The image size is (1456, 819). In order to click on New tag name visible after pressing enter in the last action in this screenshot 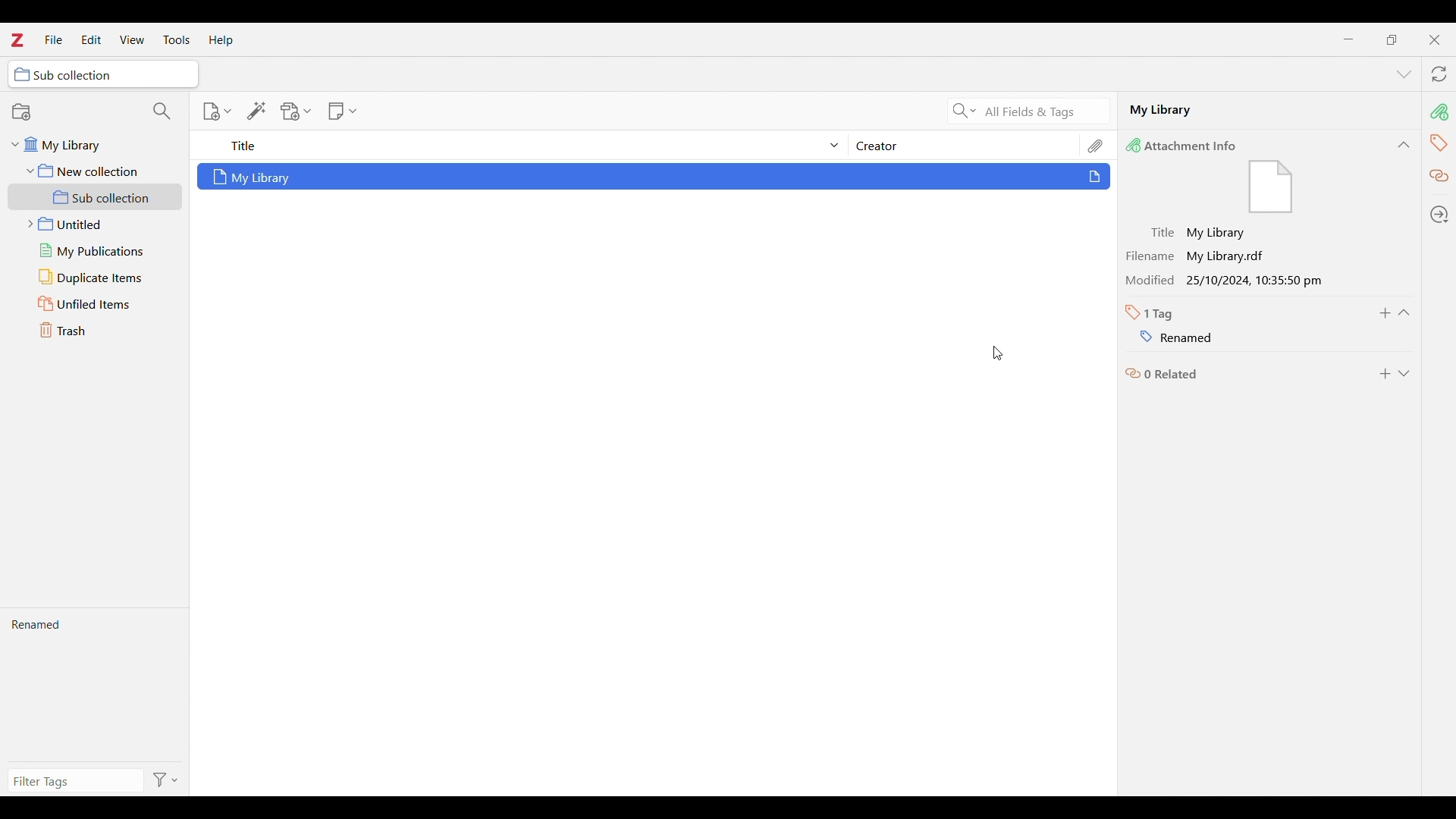, I will do `click(93, 685)`.